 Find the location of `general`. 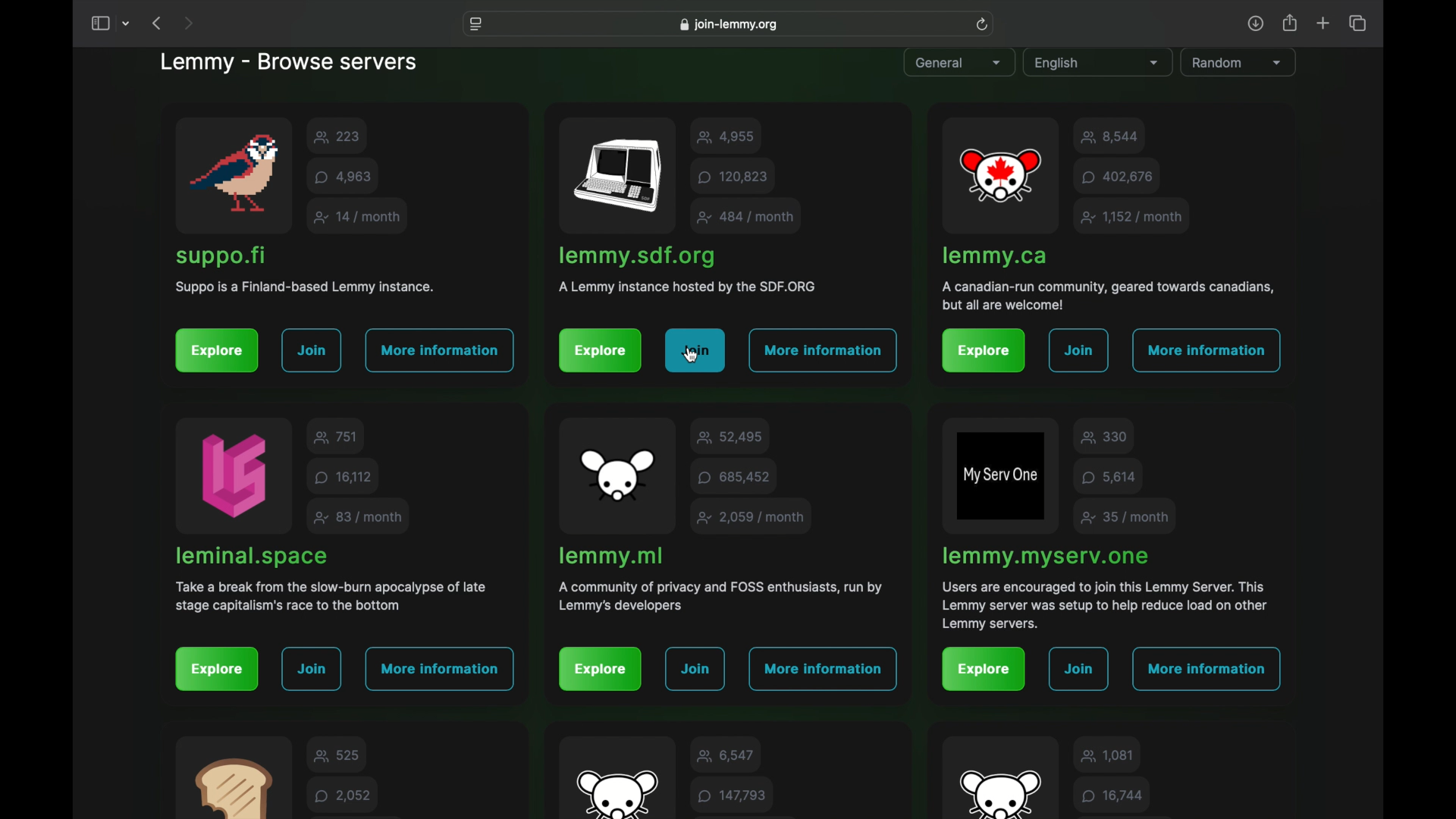

general is located at coordinates (959, 64).